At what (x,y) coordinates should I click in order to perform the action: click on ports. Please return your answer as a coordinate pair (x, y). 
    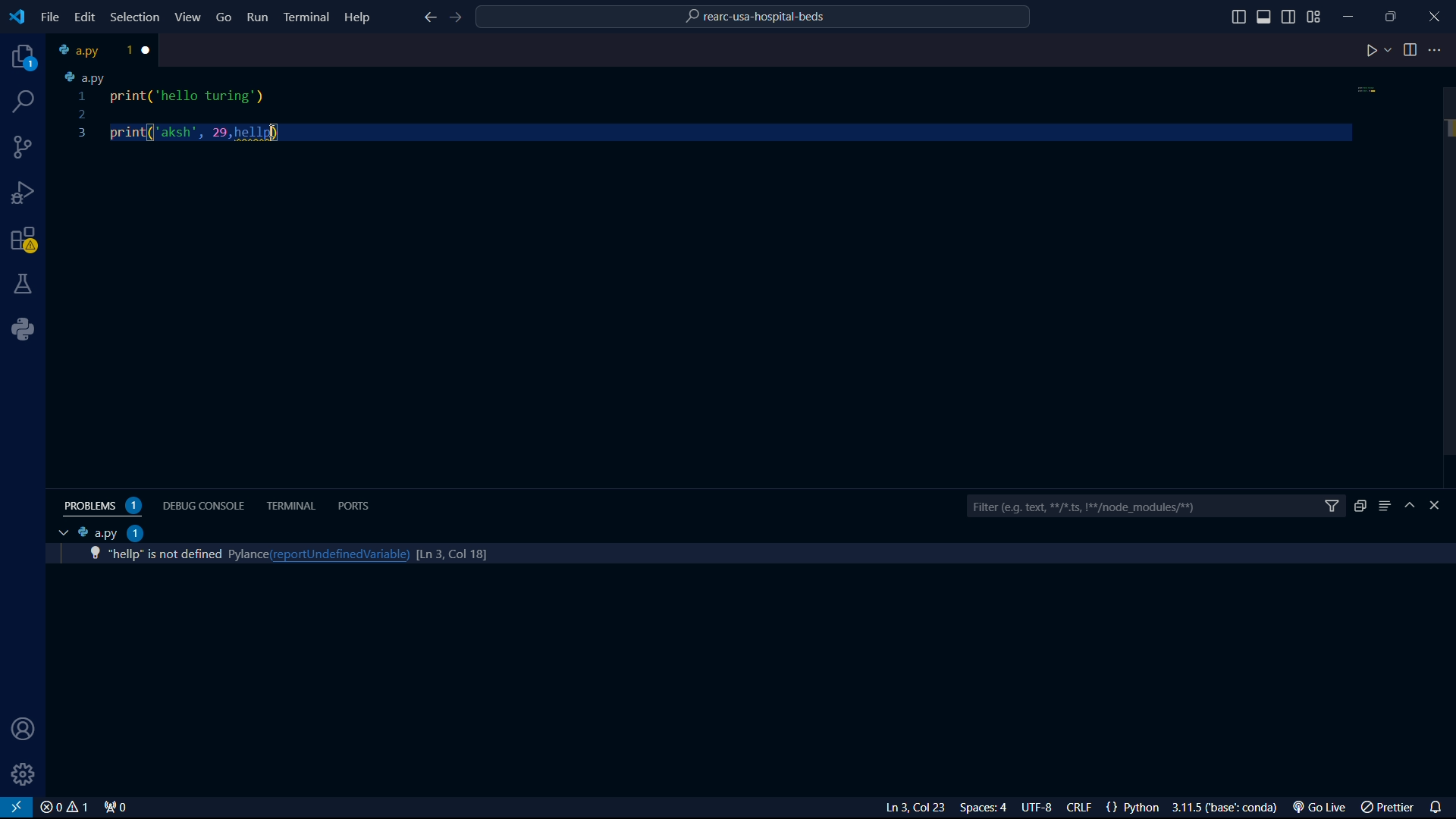
    Looking at the image, I should click on (357, 505).